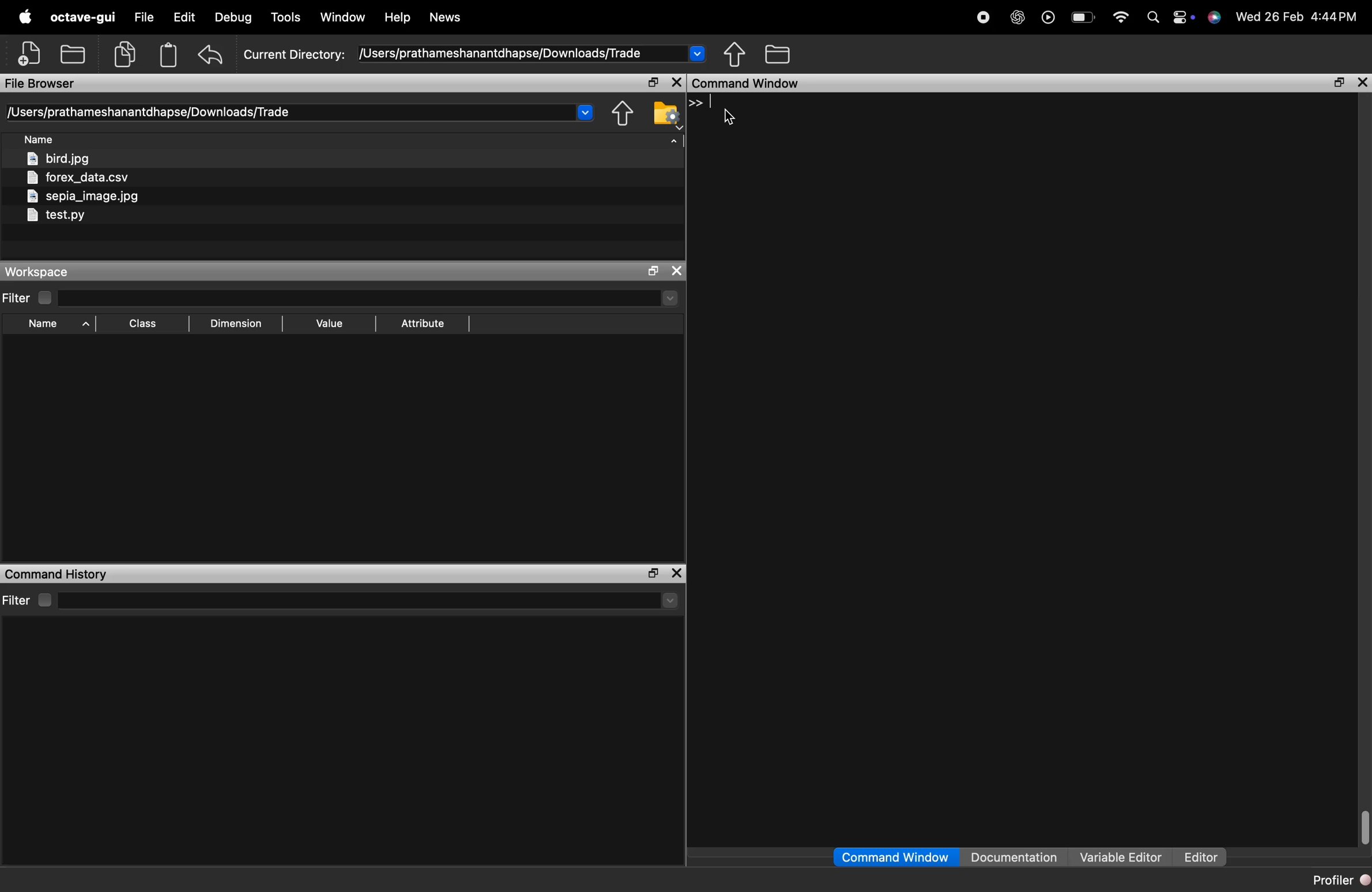  Describe the element at coordinates (236, 324) in the screenshot. I see `Dimension` at that location.